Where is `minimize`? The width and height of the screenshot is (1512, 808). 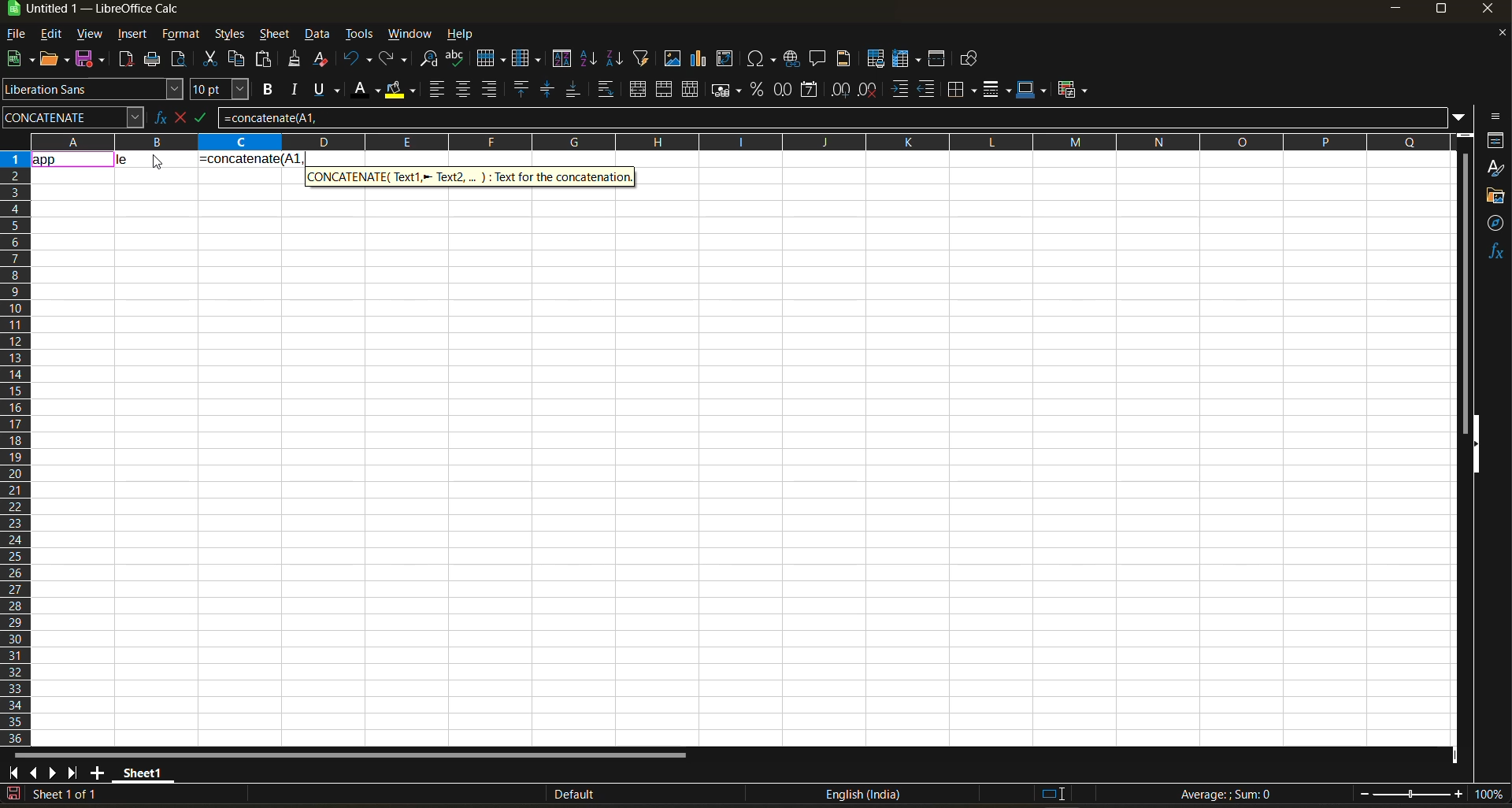 minimize is located at coordinates (1394, 9).